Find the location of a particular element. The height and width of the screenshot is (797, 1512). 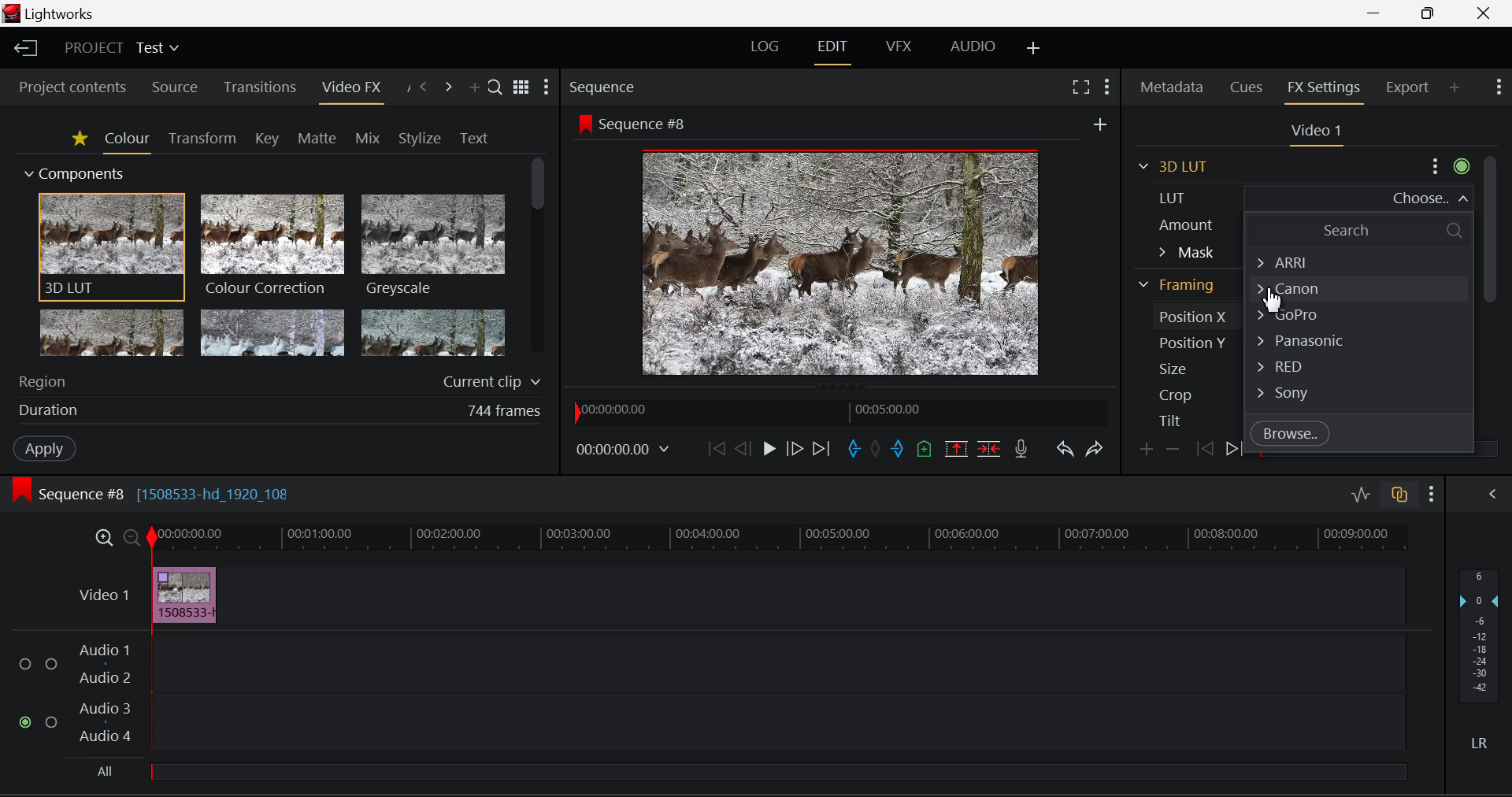

Search is located at coordinates (493, 83).